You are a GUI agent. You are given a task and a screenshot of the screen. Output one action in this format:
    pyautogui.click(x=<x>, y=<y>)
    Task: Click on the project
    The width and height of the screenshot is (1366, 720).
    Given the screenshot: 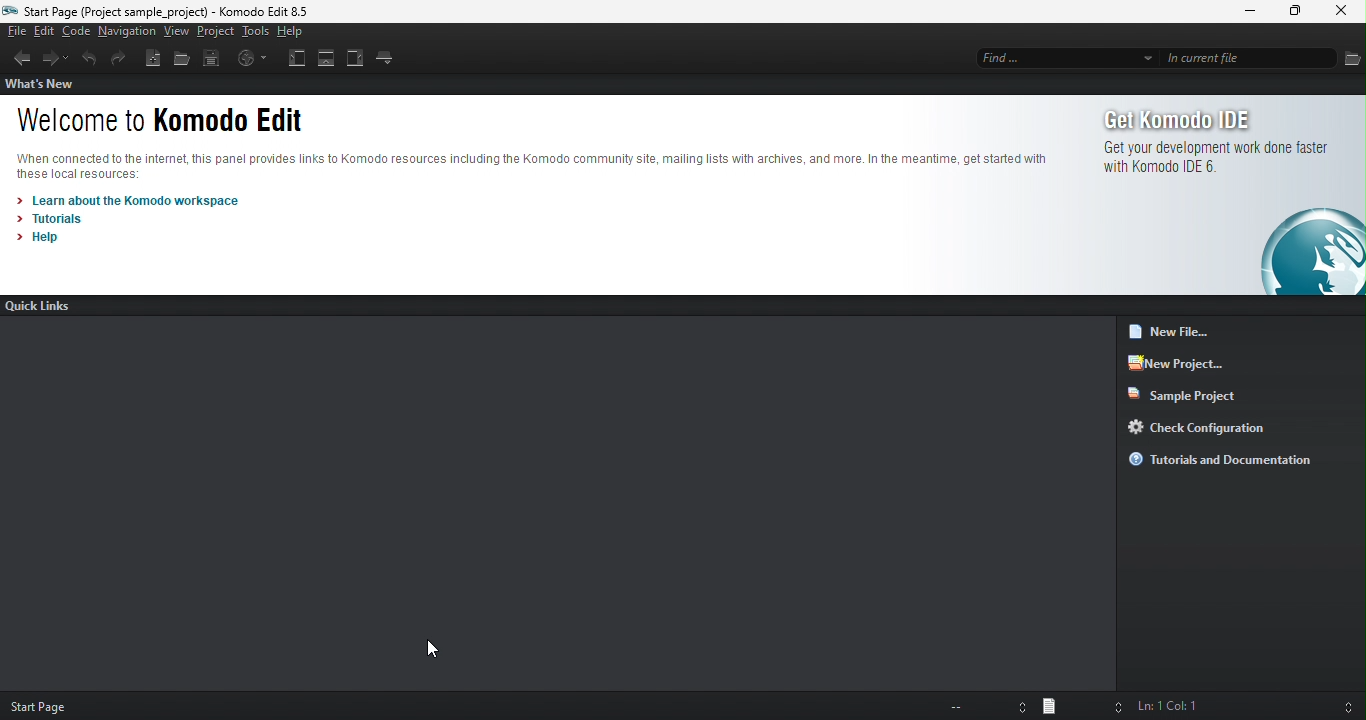 What is the action you would take?
    pyautogui.click(x=216, y=30)
    